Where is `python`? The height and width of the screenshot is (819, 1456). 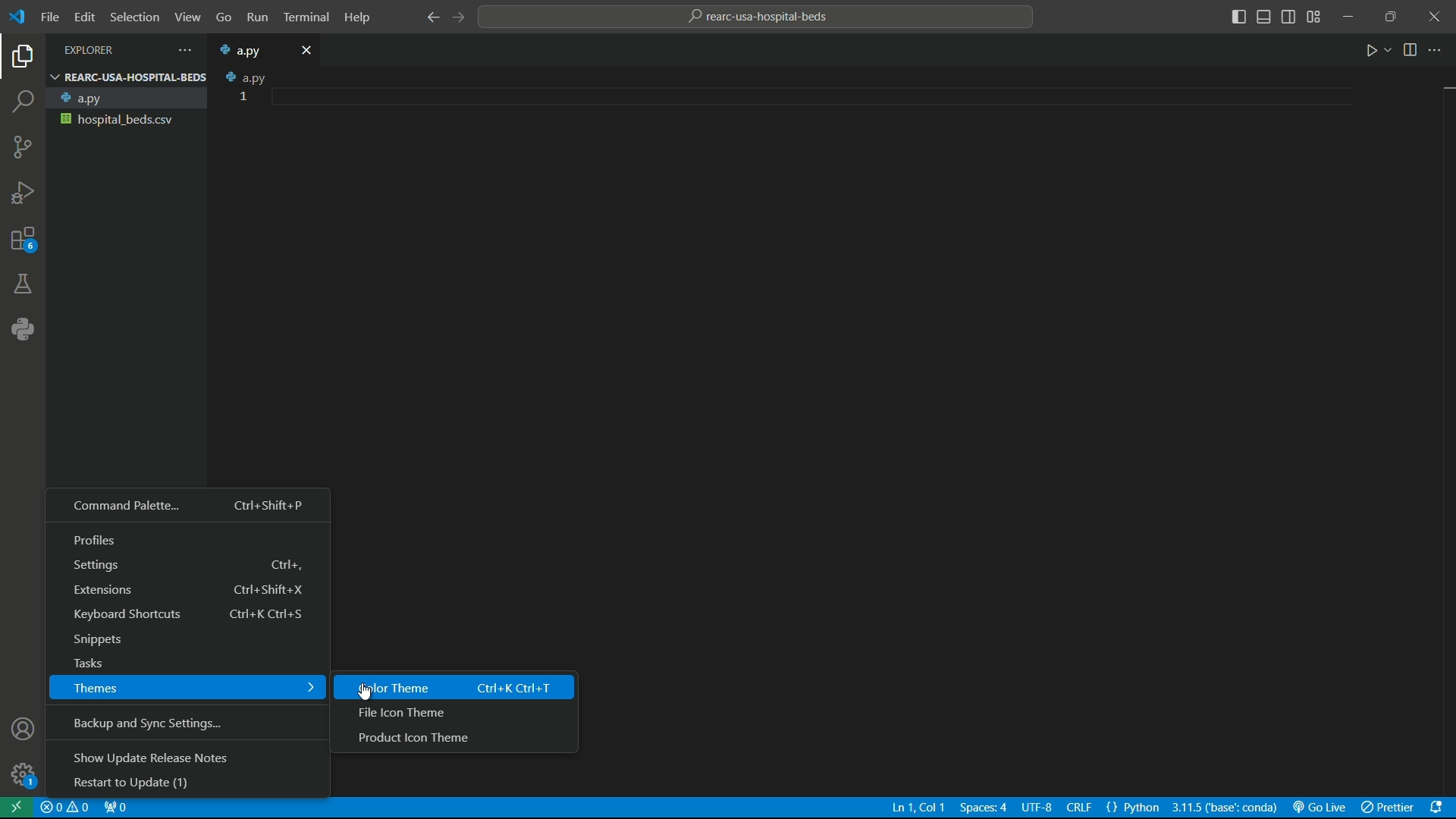 python is located at coordinates (20, 331).